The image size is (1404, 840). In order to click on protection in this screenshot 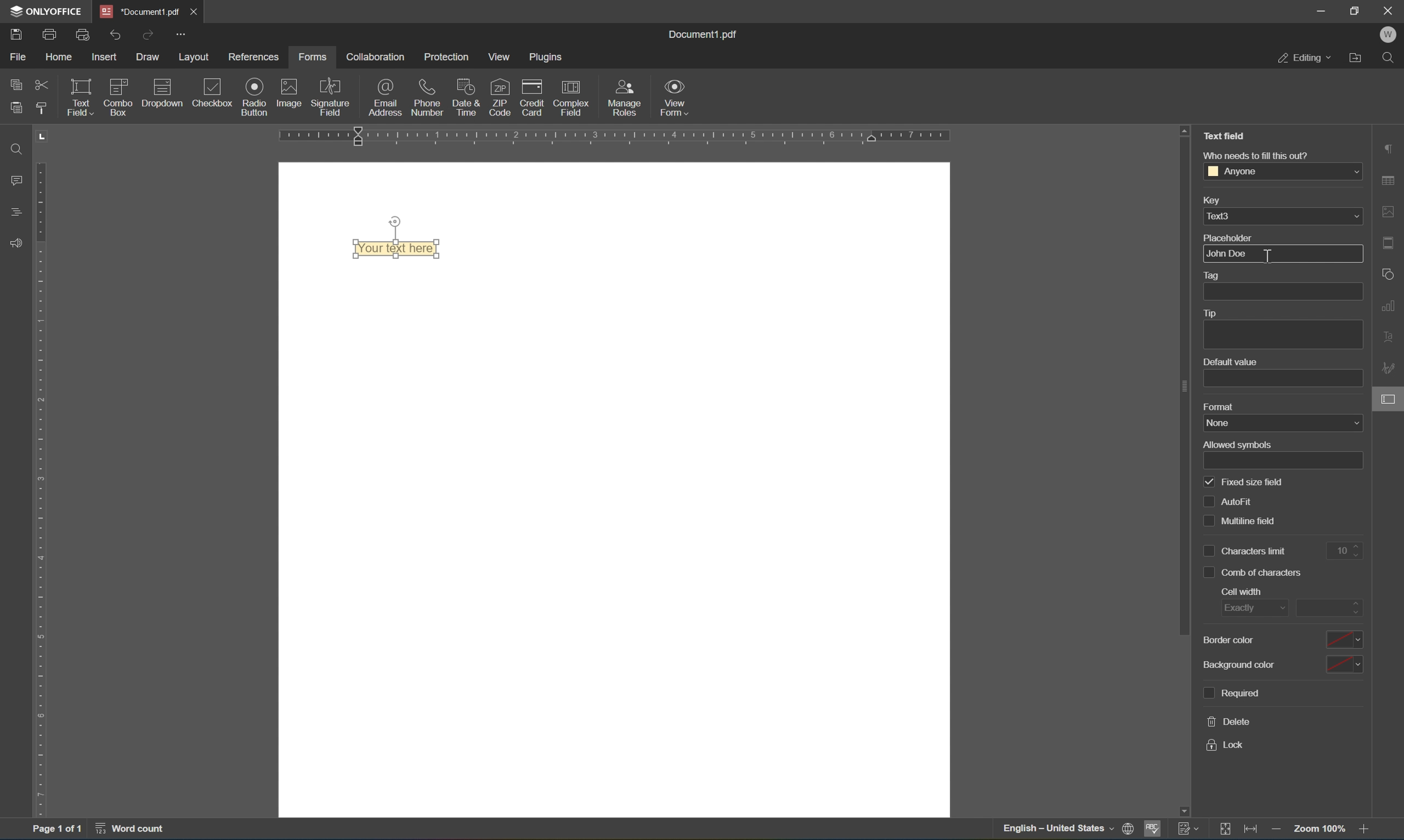, I will do `click(450, 57)`.